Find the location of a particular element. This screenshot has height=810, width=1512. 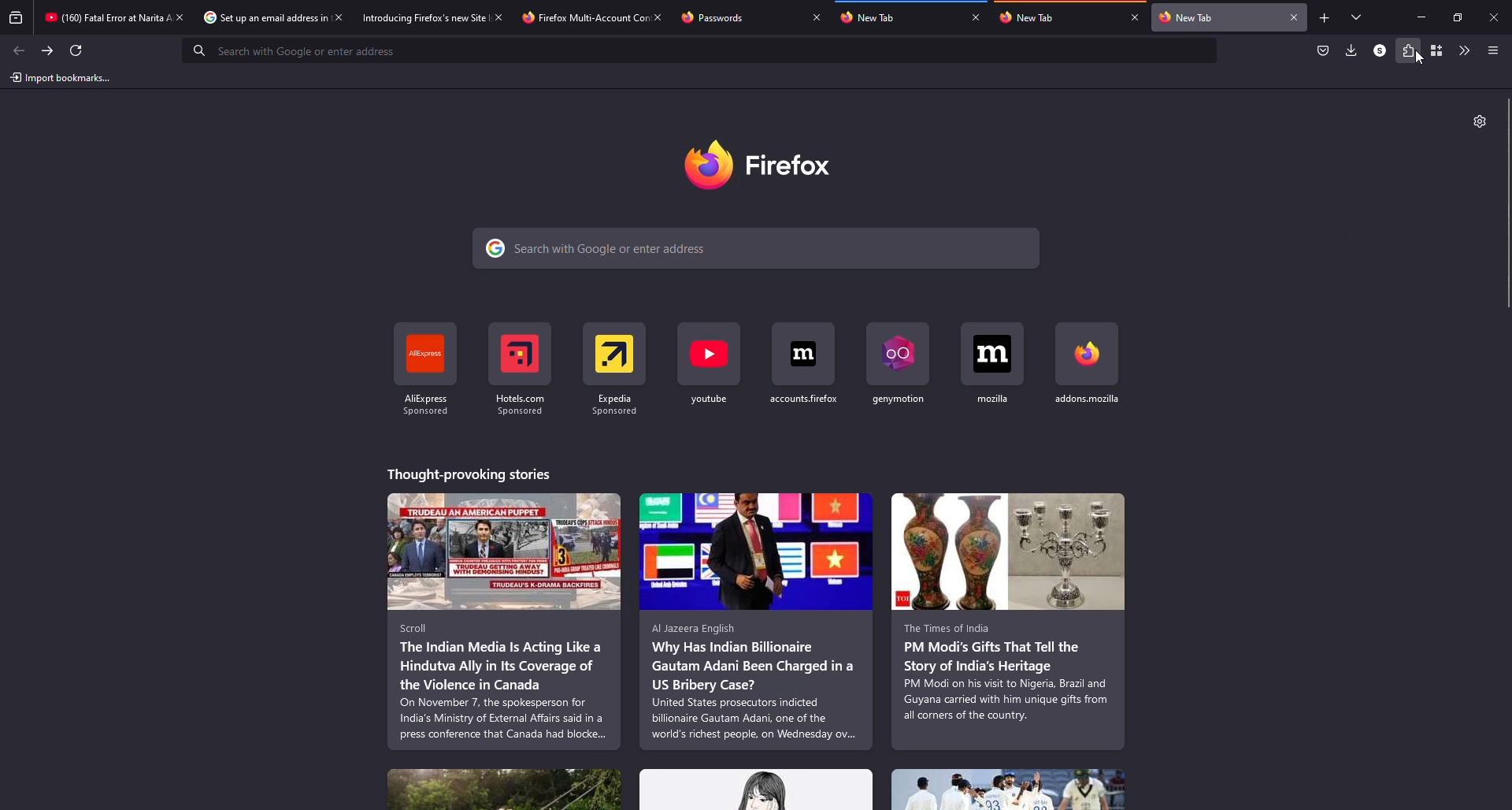

tabs is located at coordinates (1358, 17).